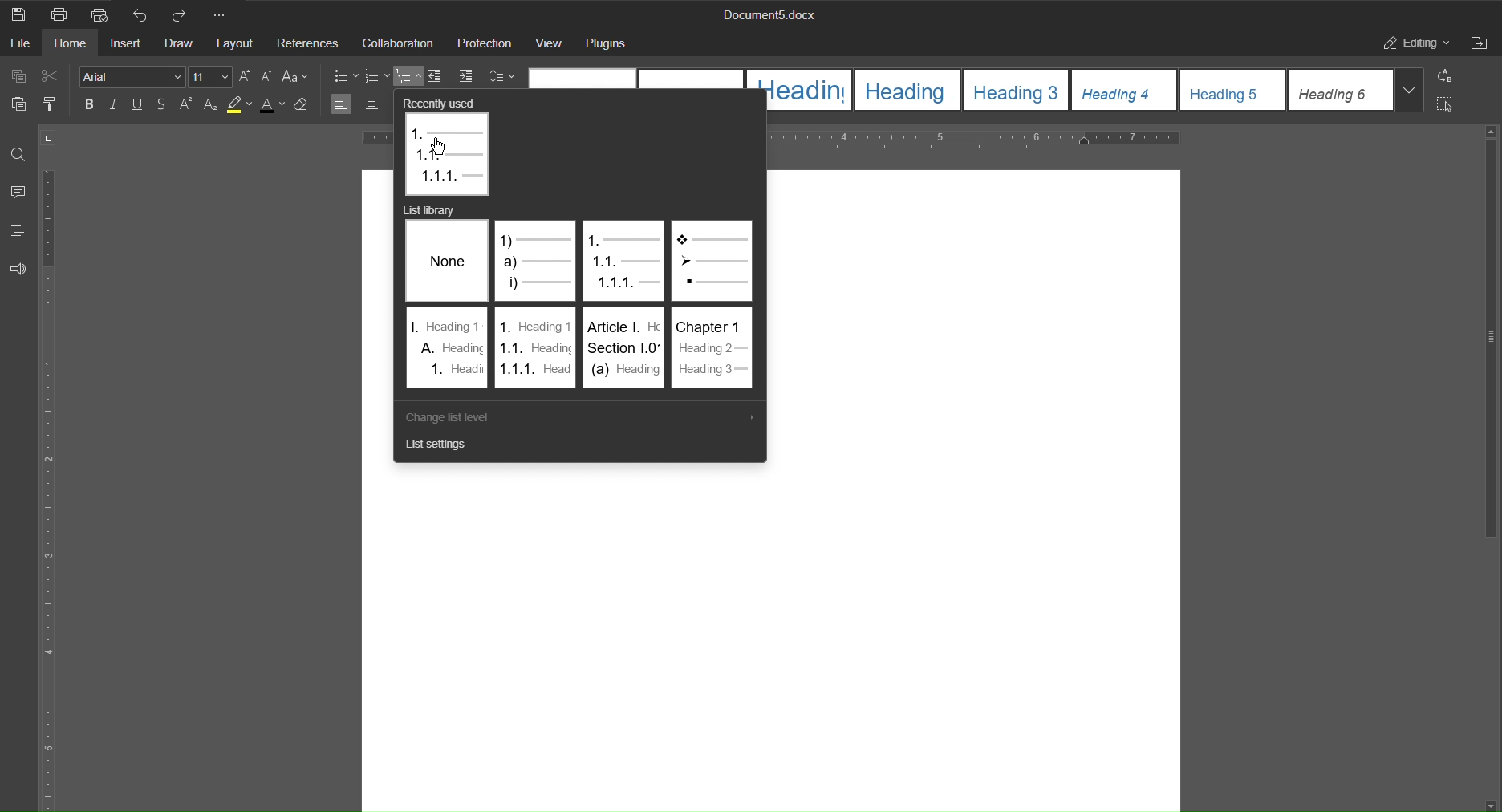 Image resolution: width=1502 pixels, height=812 pixels. What do you see at coordinates (486, 45) in the screenshot?
I see `Protection` at bounding box center [486, 45].